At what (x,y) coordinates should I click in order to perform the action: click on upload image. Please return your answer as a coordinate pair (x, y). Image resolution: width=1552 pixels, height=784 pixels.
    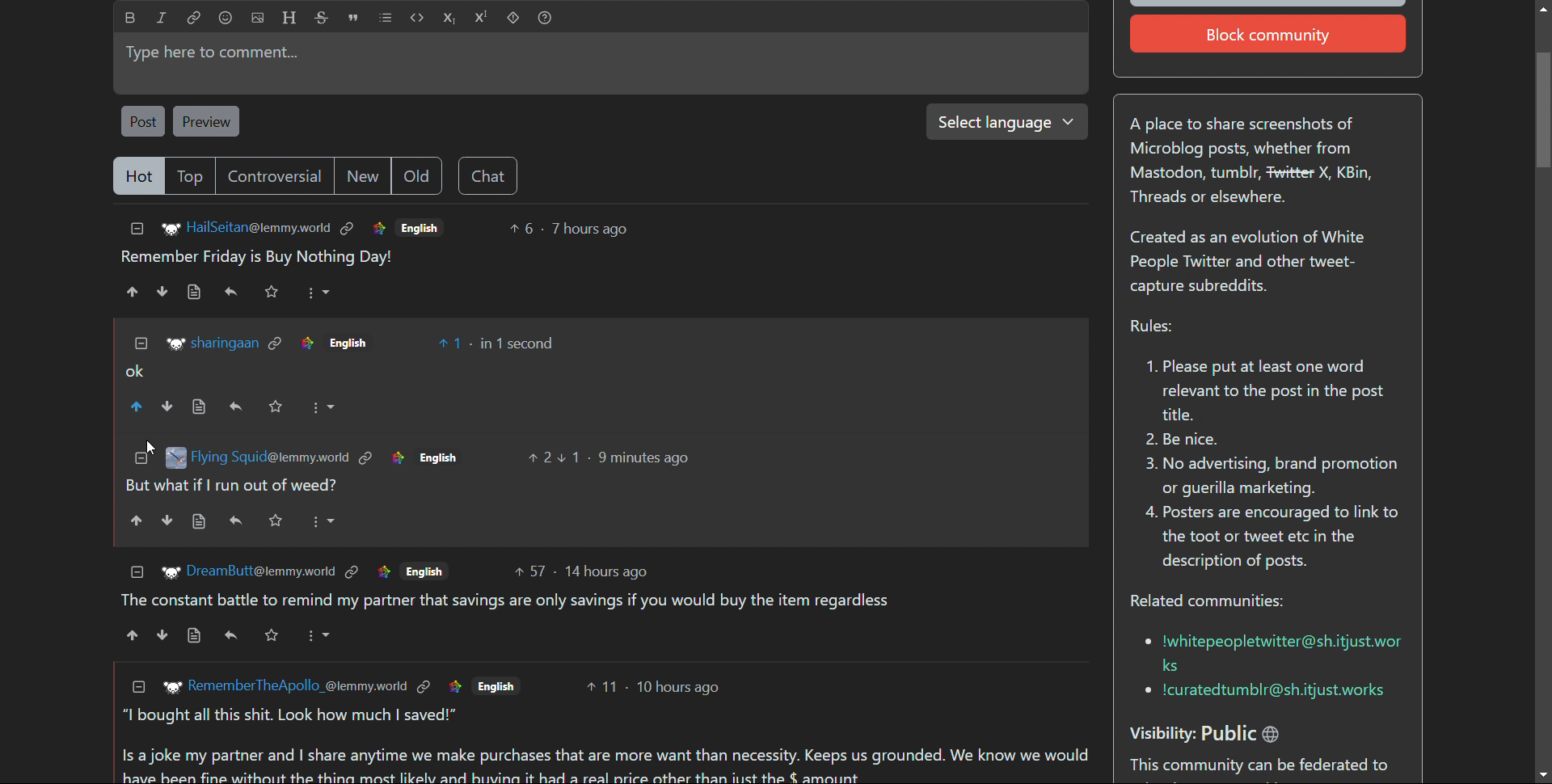
    Looking at the image, I should click on (258, 18).